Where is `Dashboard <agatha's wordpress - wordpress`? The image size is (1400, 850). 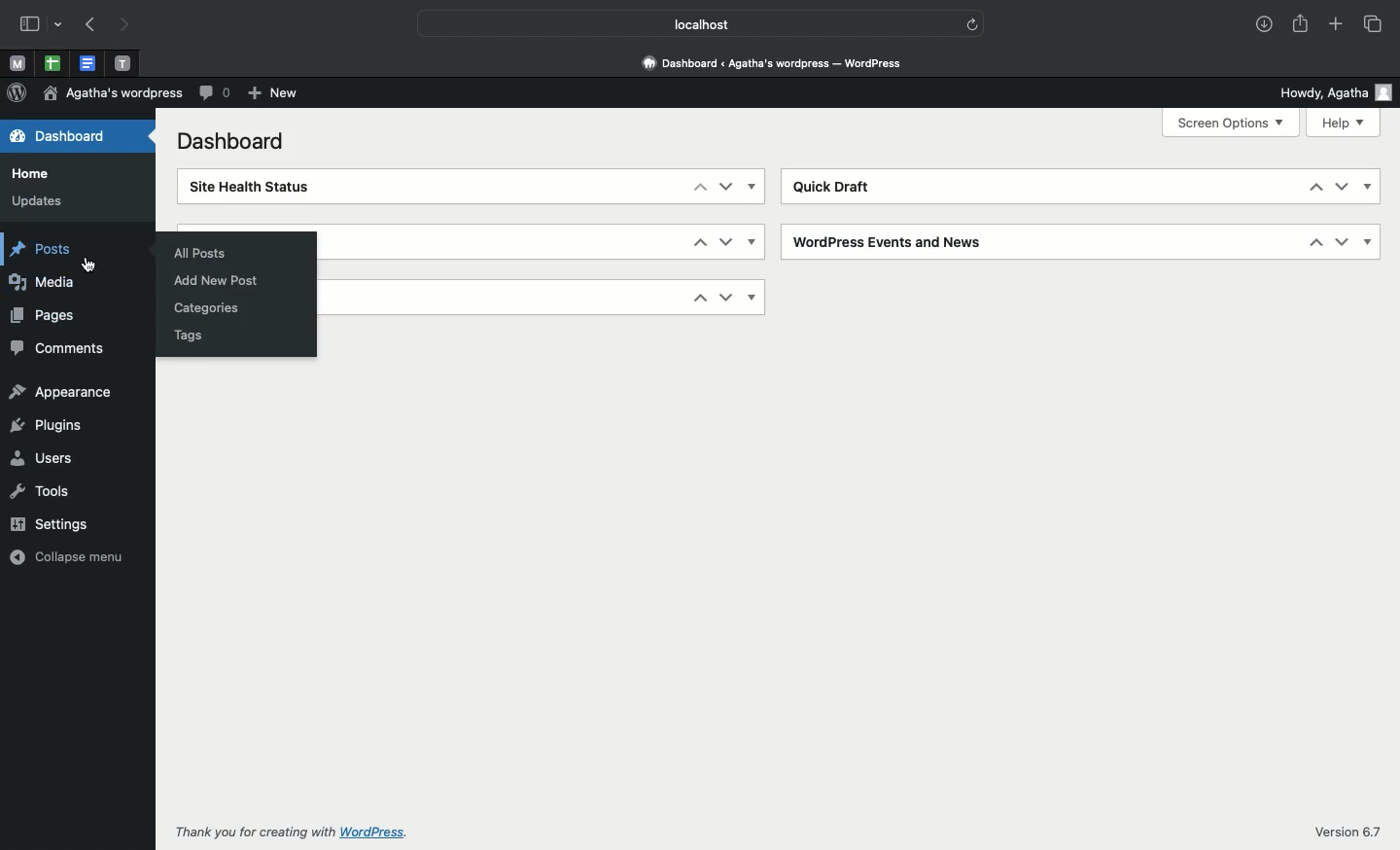
Dashboard <agatha's wordpress - wordpress is located at coordinates (778, 64).